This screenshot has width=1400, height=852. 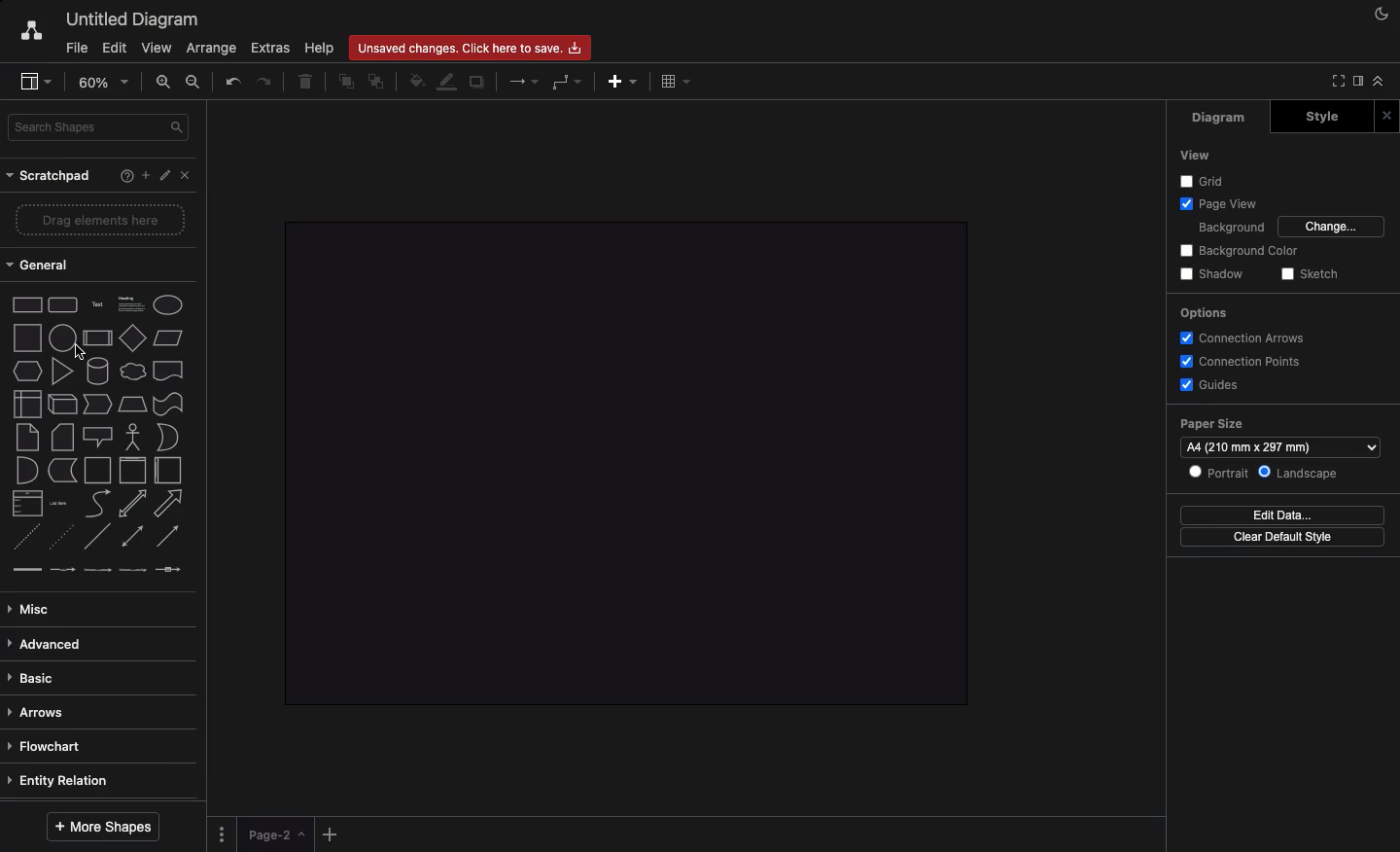 I want to click on Canvas, so click(x=616, y=465).